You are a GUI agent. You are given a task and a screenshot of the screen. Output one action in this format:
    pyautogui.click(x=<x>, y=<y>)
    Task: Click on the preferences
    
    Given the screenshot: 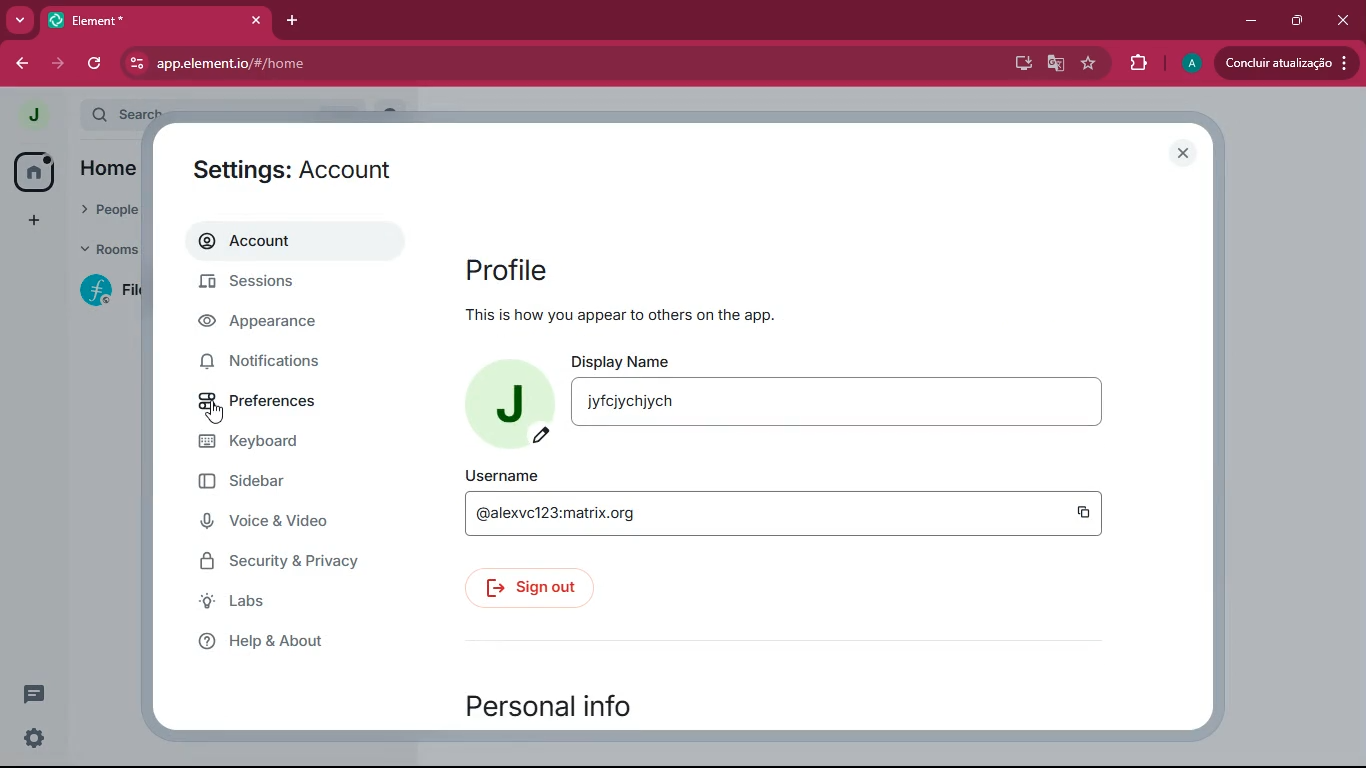 What is the action you would take?
    pyautogui.click(x=270, y=400)
    